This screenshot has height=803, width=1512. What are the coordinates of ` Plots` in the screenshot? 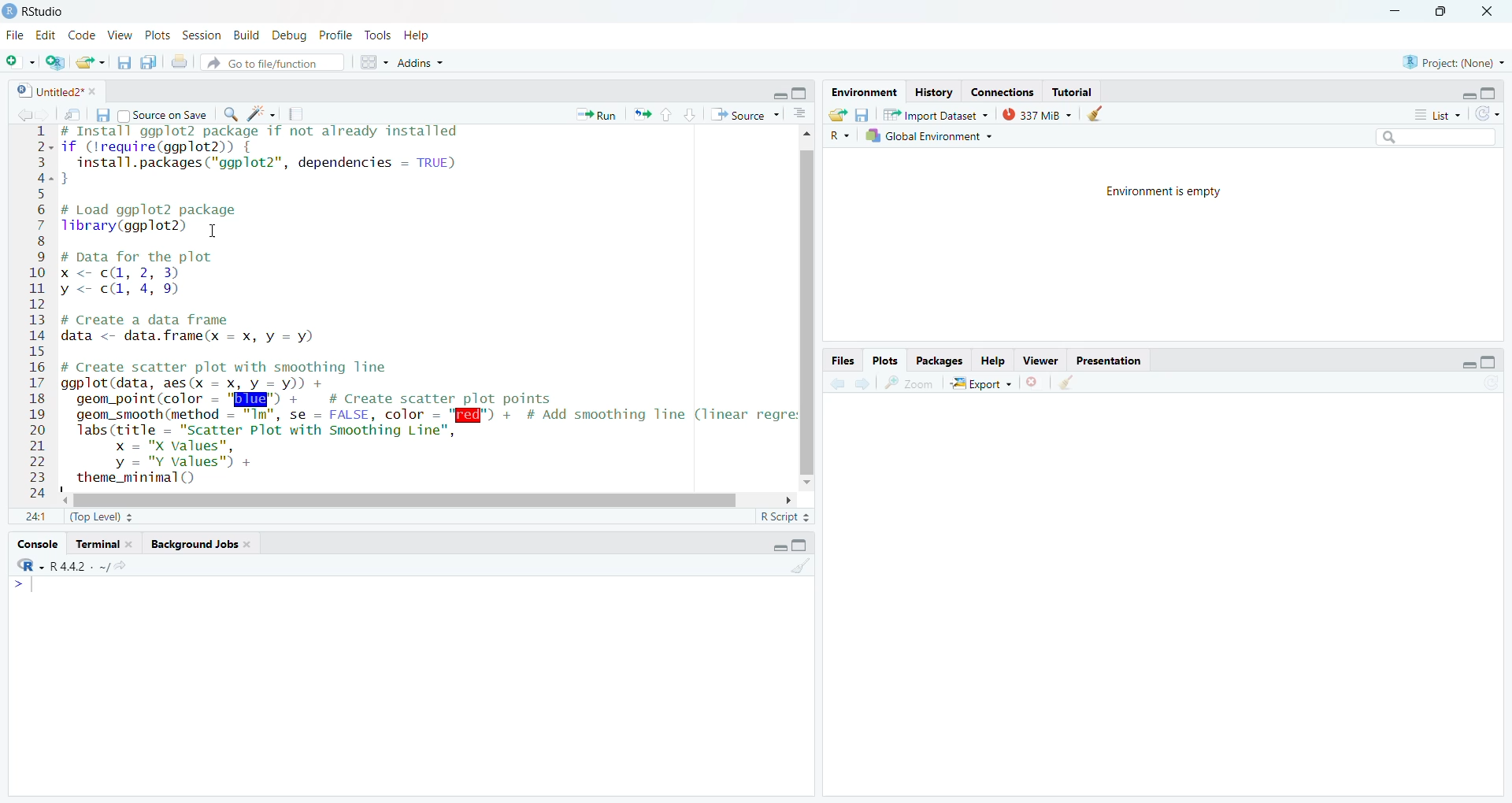 It's located at (155, 35).